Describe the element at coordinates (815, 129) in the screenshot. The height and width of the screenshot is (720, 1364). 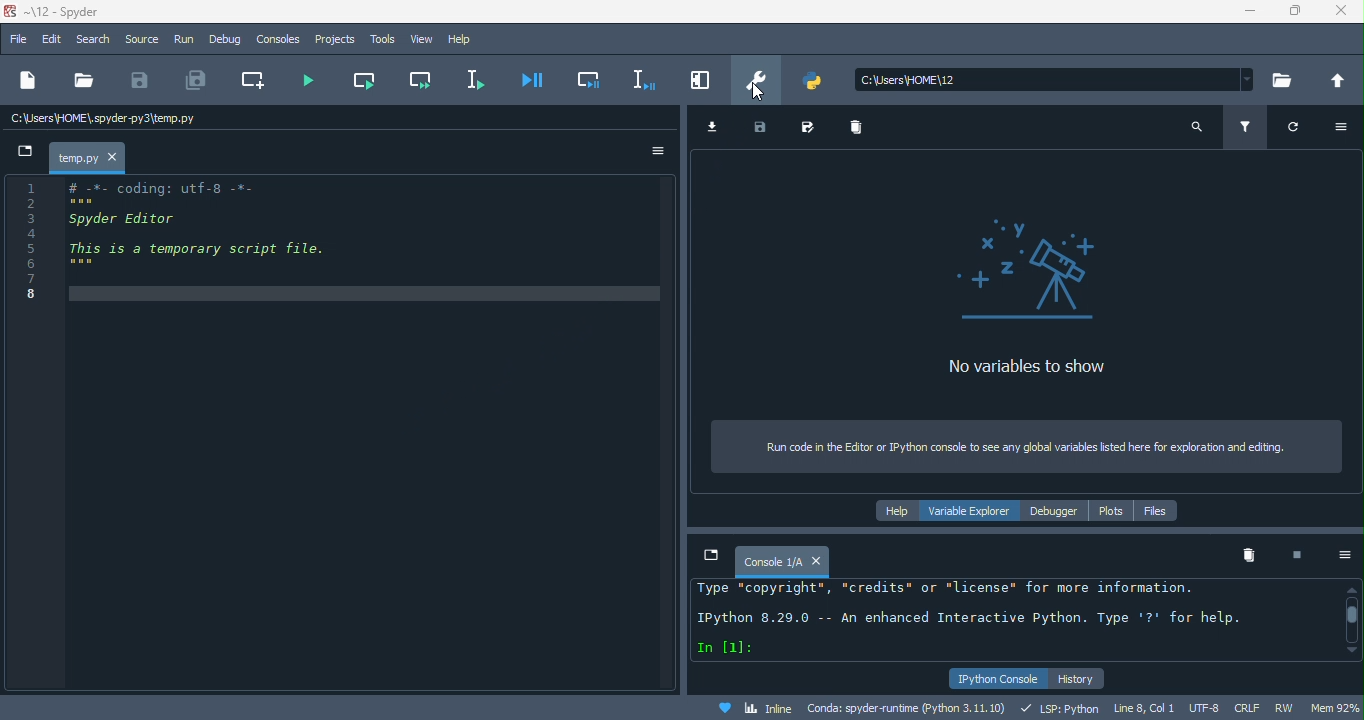
I see `save as` at that location.